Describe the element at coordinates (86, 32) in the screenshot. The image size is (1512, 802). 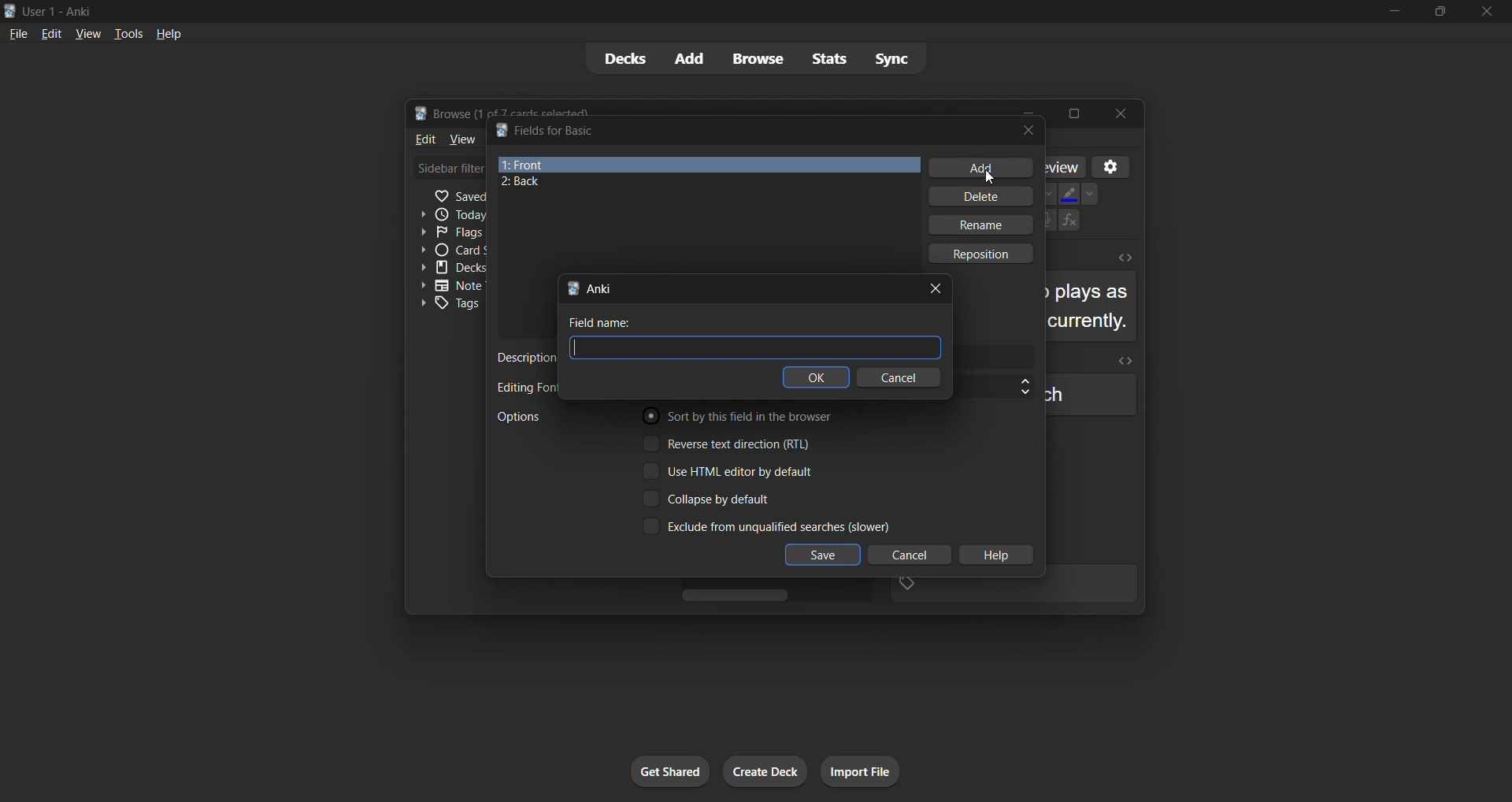
I see `view` at that location.